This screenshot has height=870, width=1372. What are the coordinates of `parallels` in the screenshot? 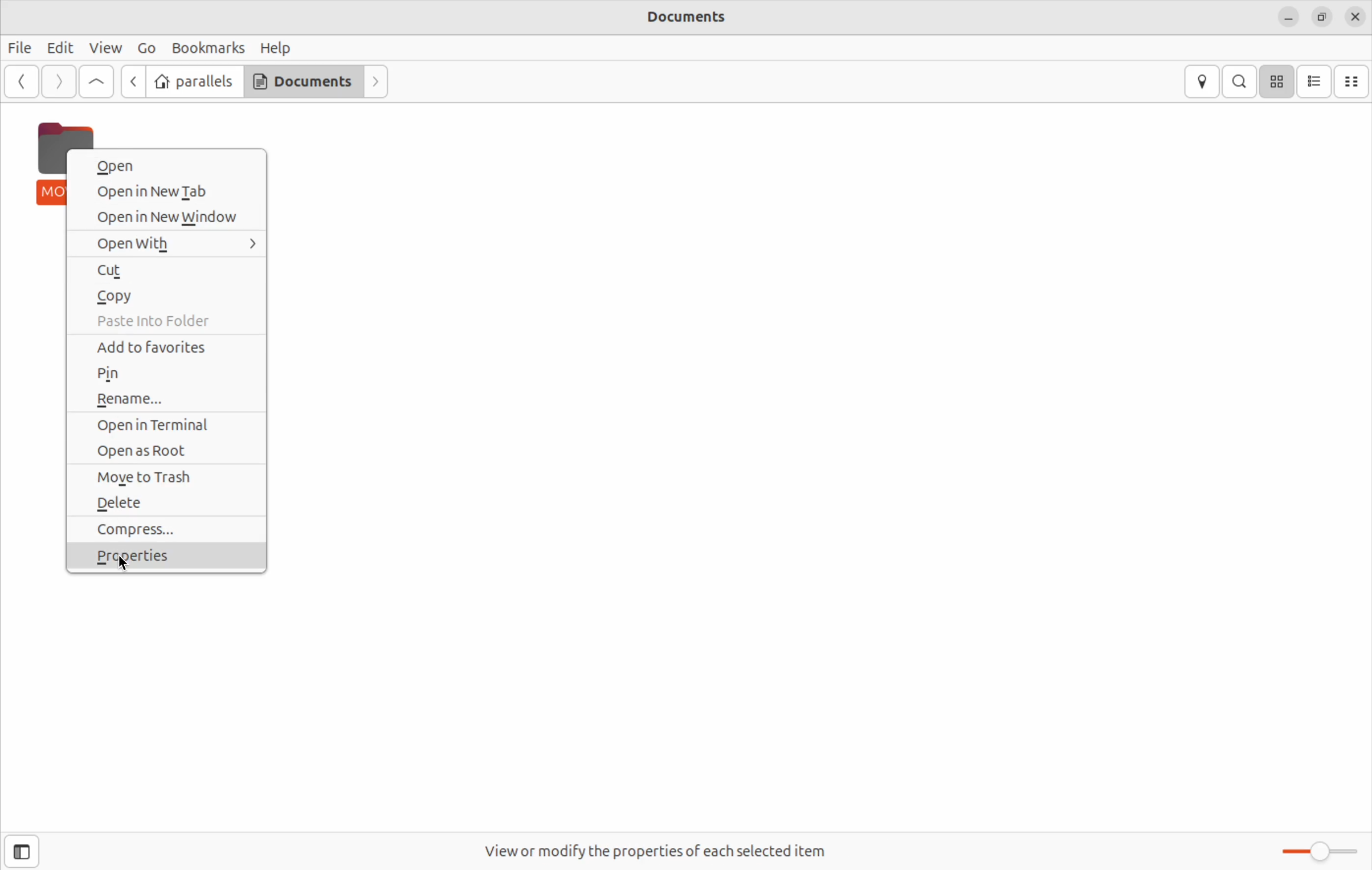 It's located at (195, 80).